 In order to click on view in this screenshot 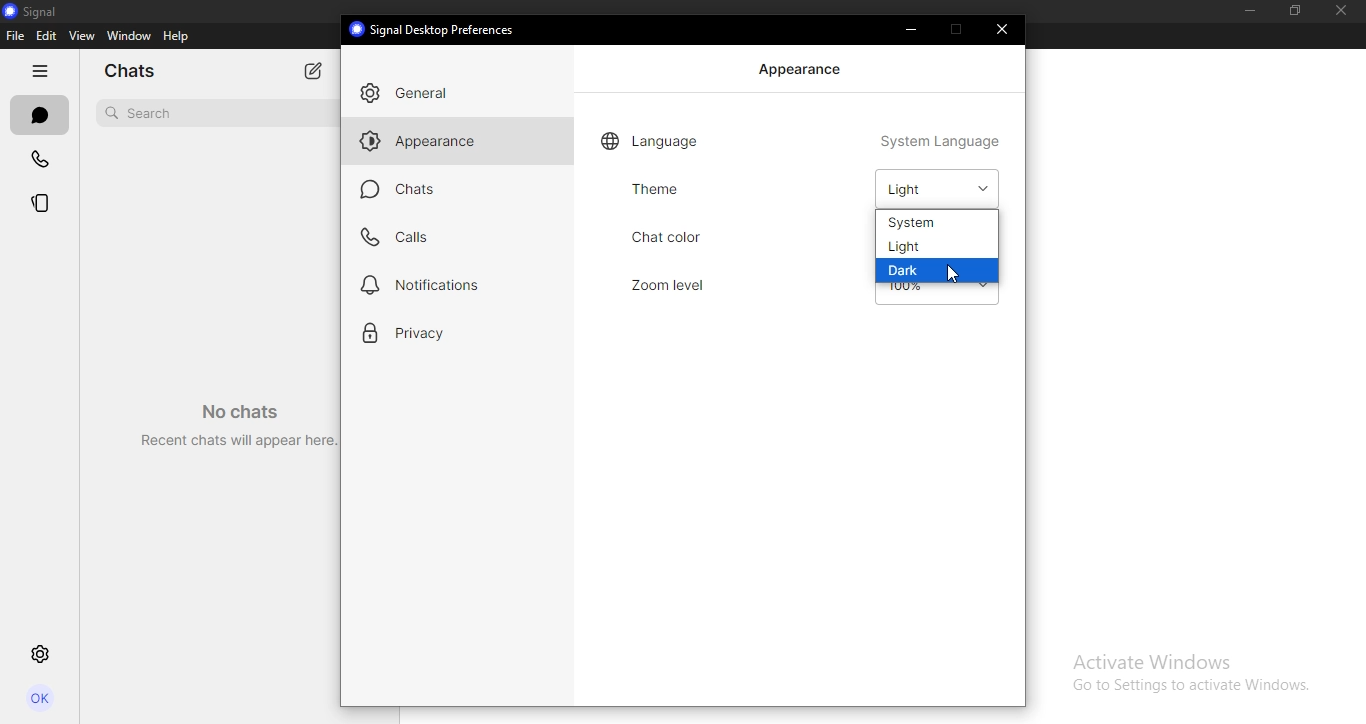, I will do `click(81, 36)`.